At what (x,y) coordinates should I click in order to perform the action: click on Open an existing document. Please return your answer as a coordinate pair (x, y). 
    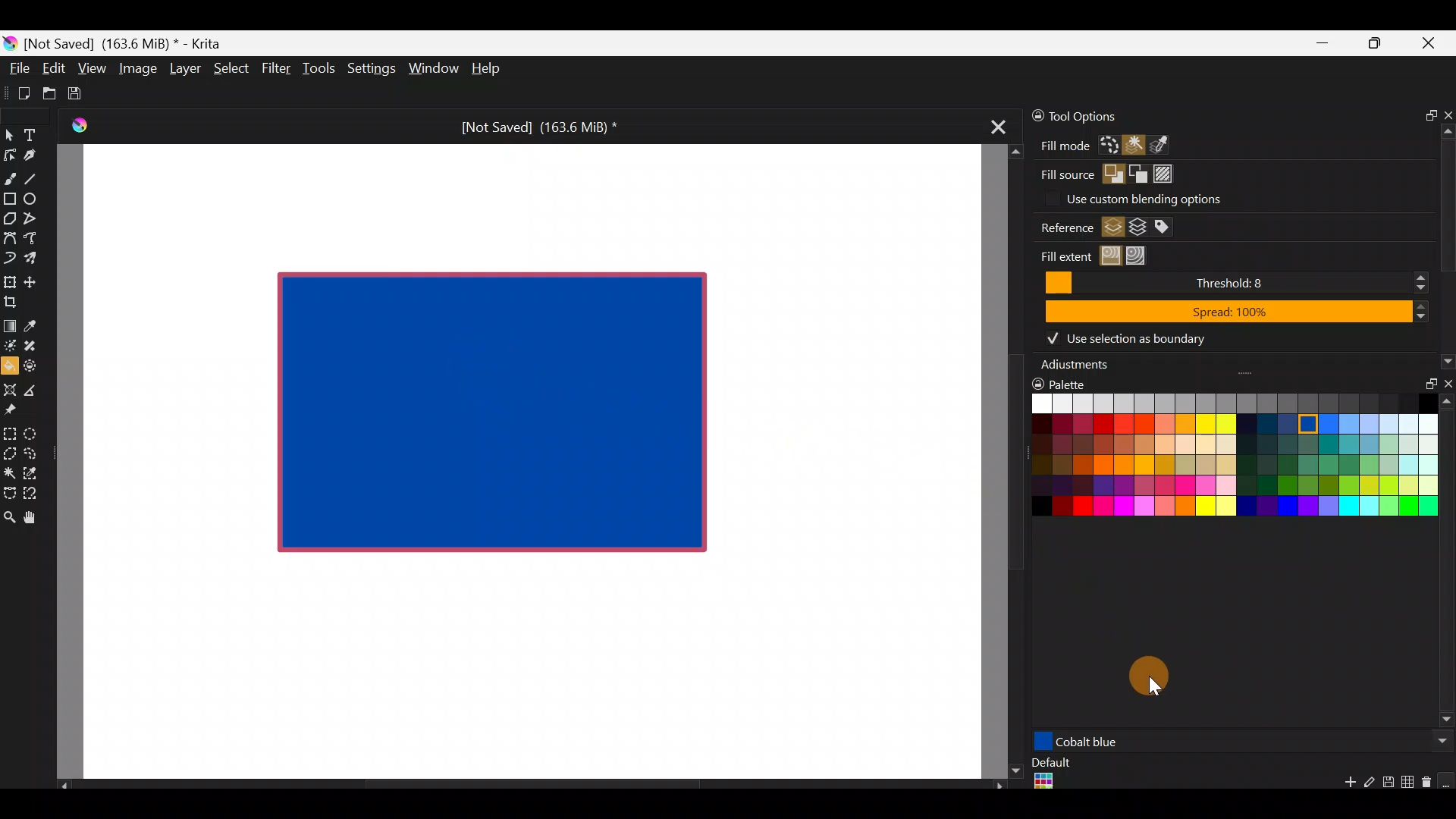
    Looking at the image, I should click on (49, 91).